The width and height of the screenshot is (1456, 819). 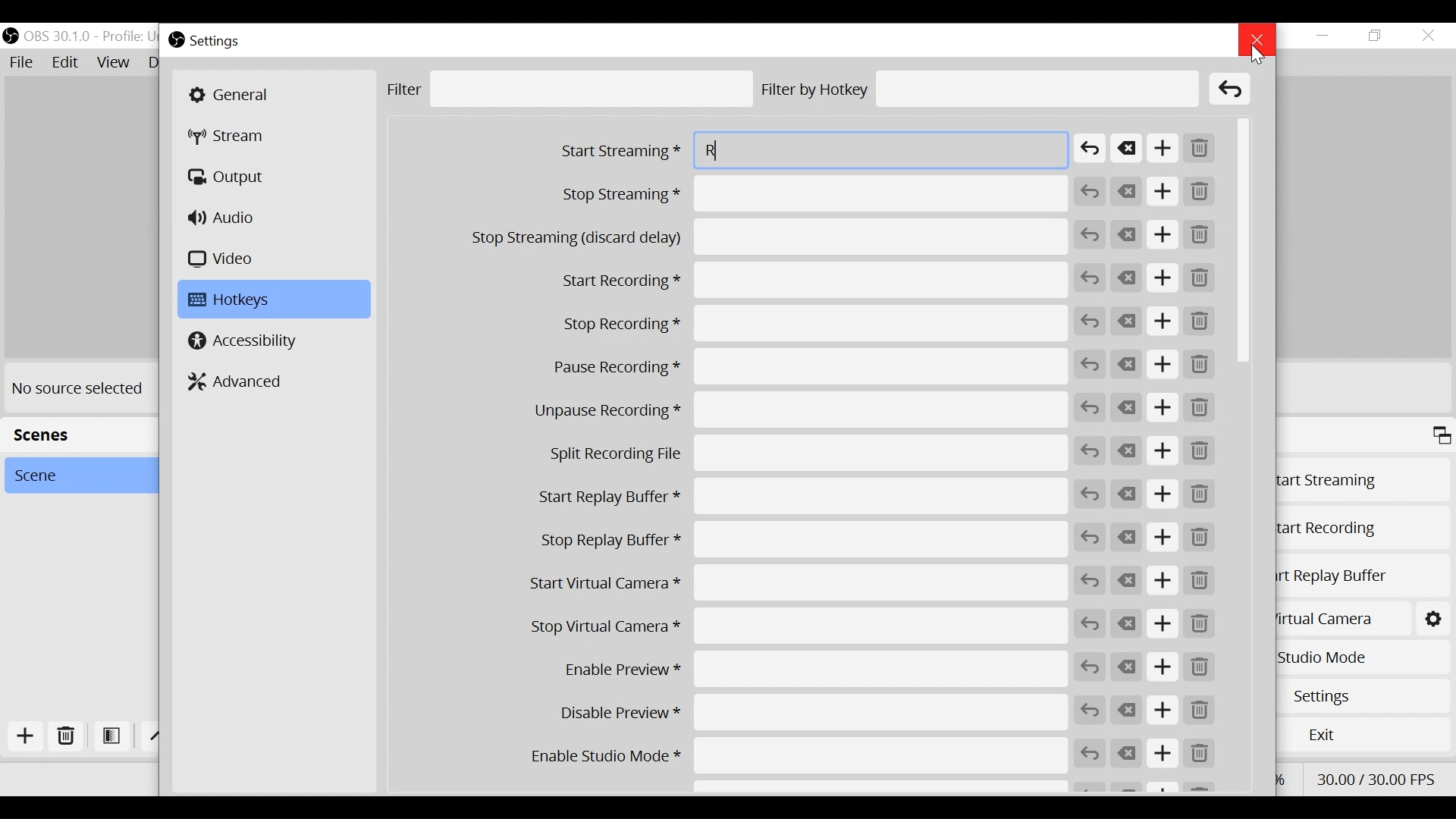 What do you see at coordinates (1127, 149) in the screenshot?
I see `Clear` at bounding box center [1127, 149].